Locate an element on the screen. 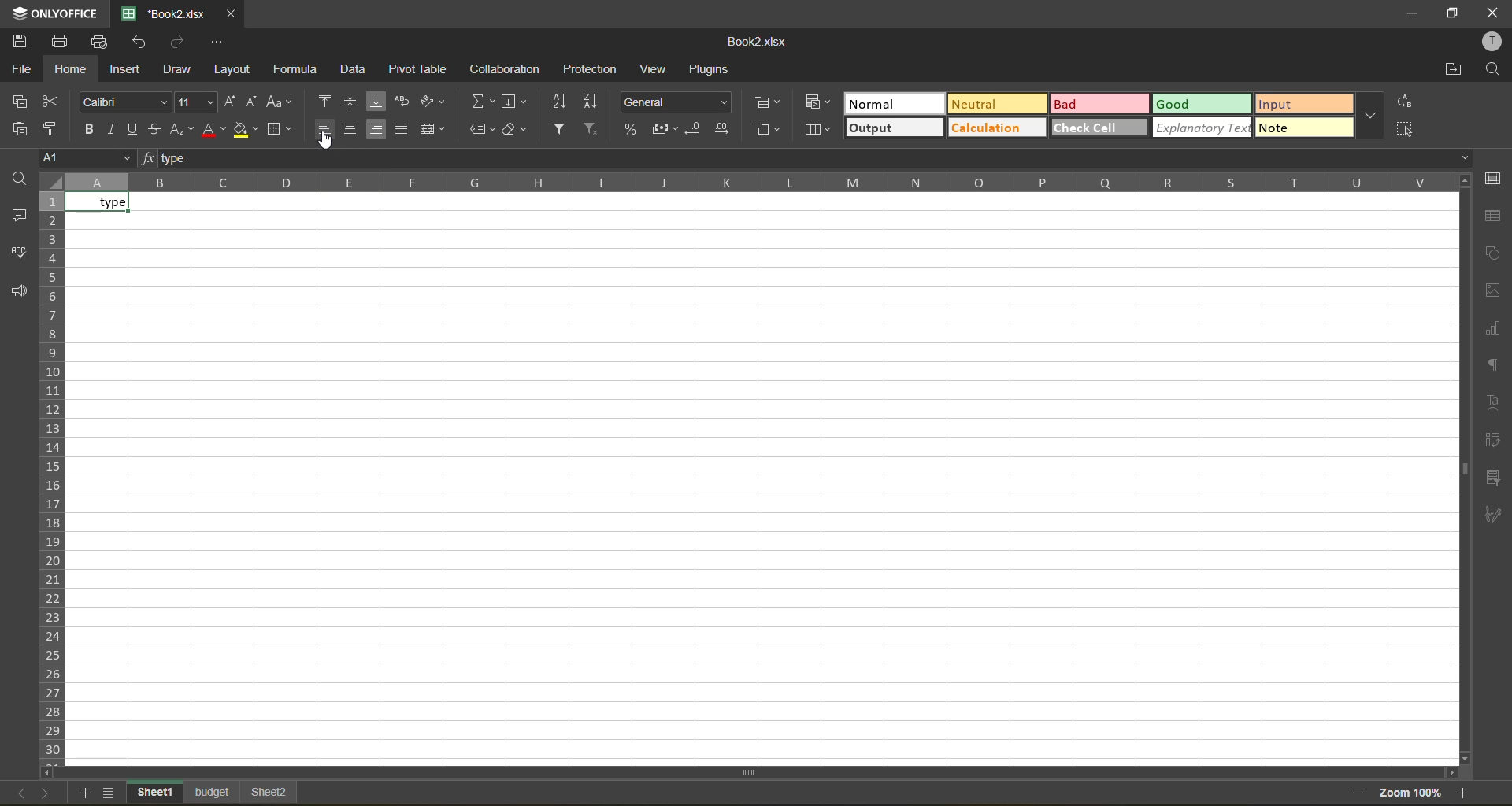  copy style is located at coordinates (54, 128).